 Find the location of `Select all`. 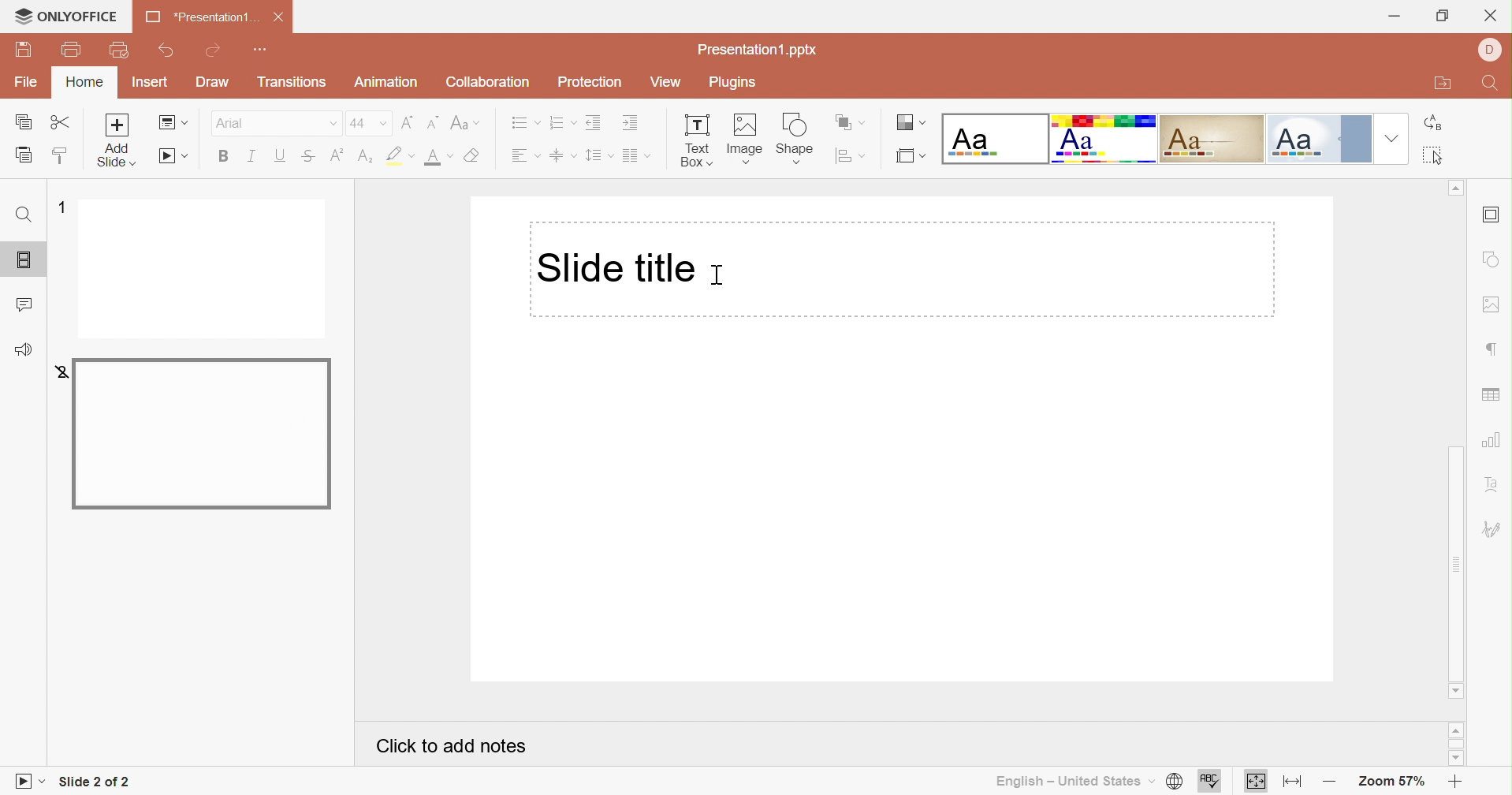

Select all is located at coordinates (1435, 155).